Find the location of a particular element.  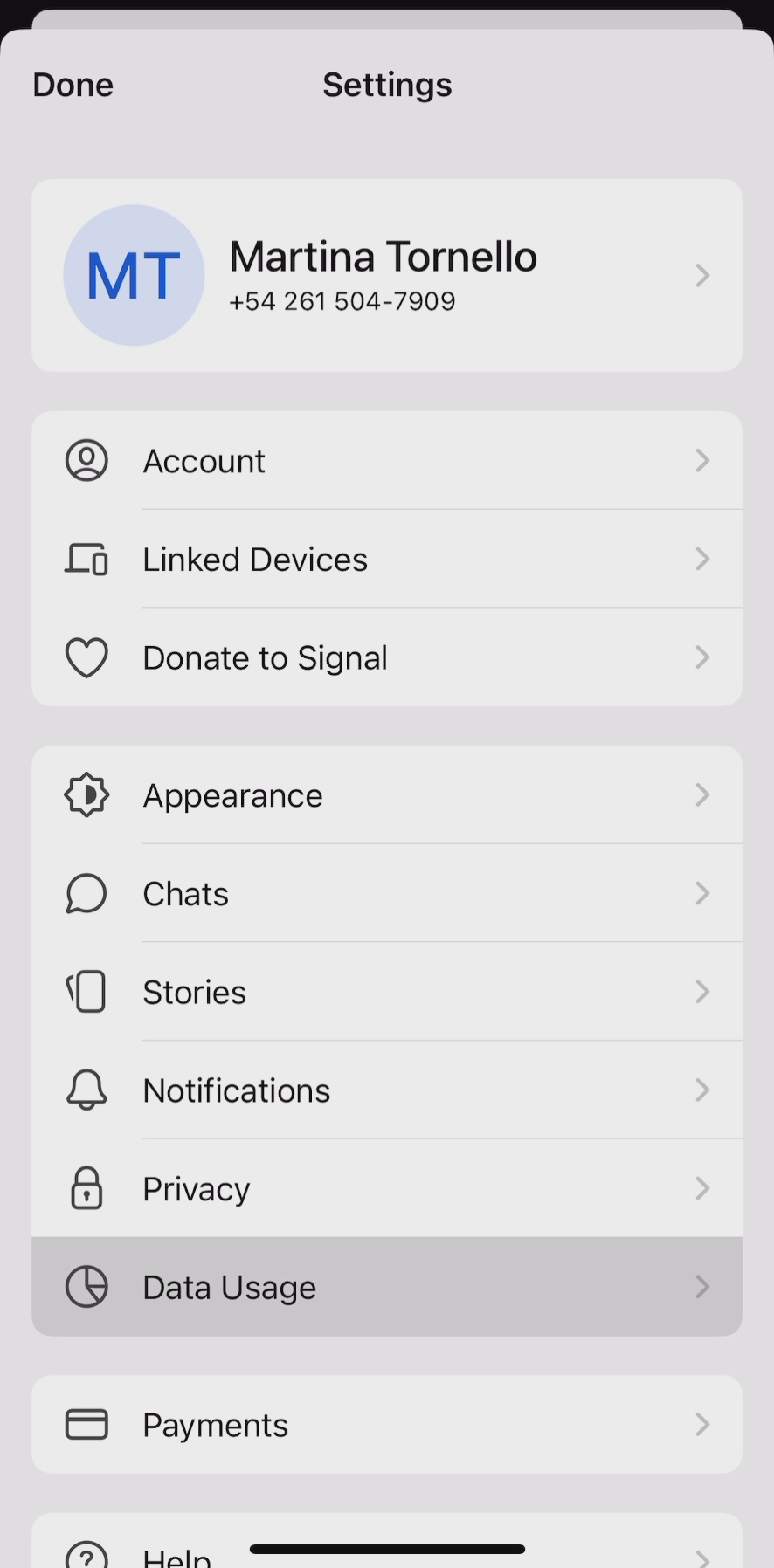

contact card is located at coordinates (388, 272).